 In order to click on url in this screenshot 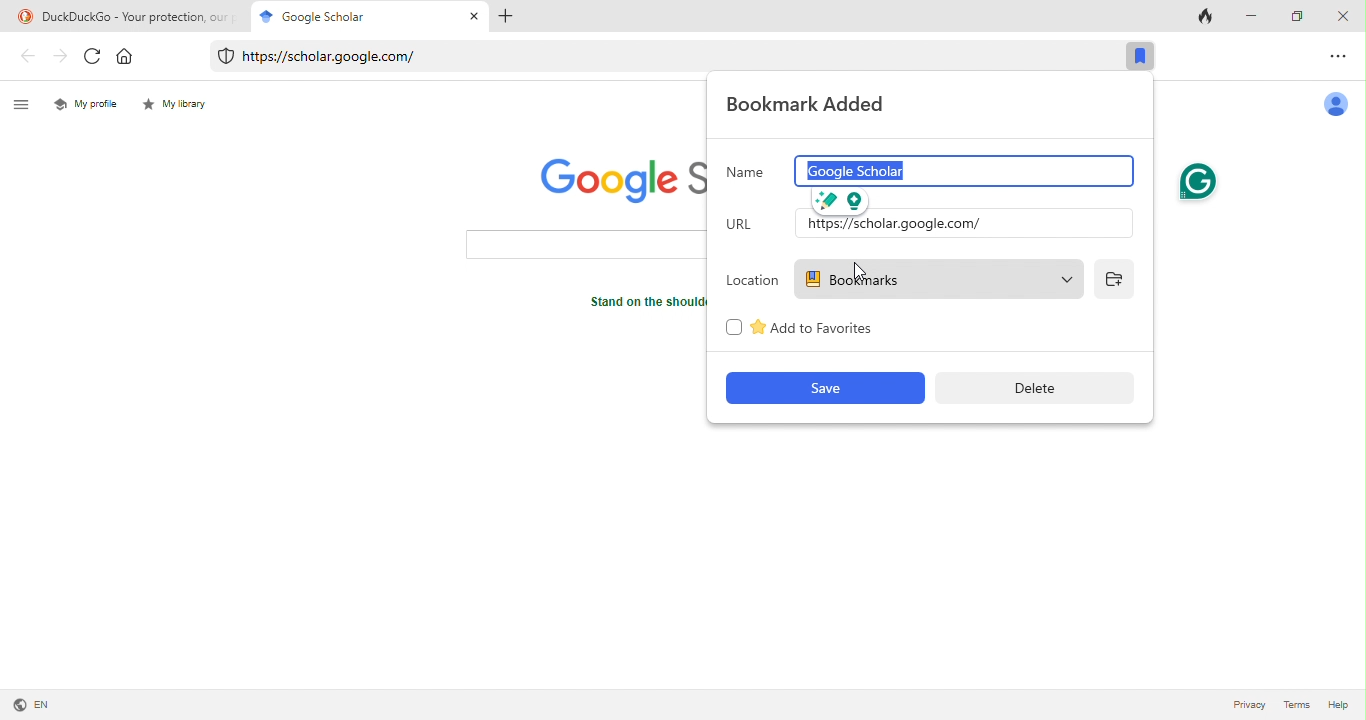, I will do `click(742, 227)`.